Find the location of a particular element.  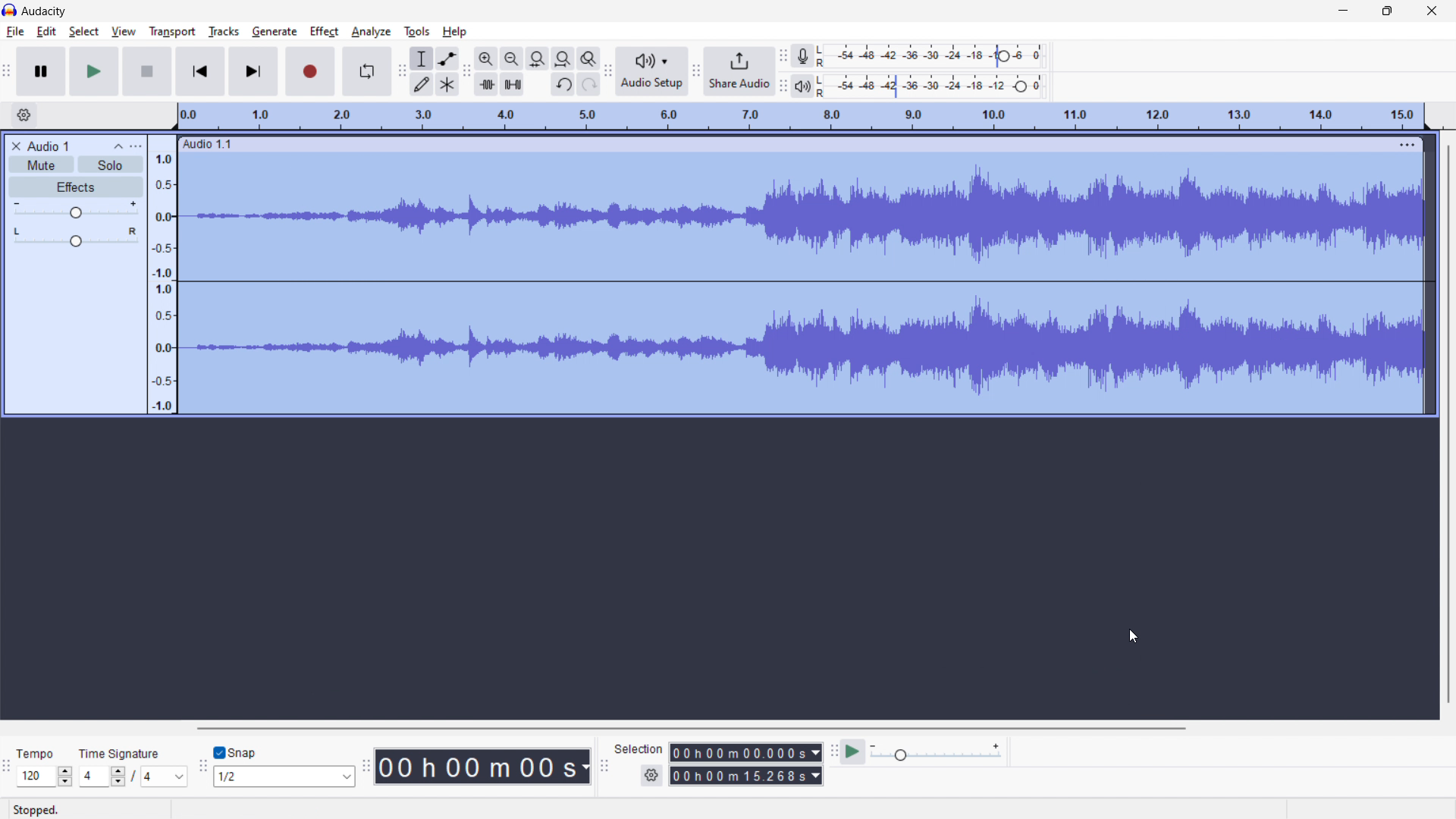

4/4 (select time signature) is located at coordinates (133, 776).